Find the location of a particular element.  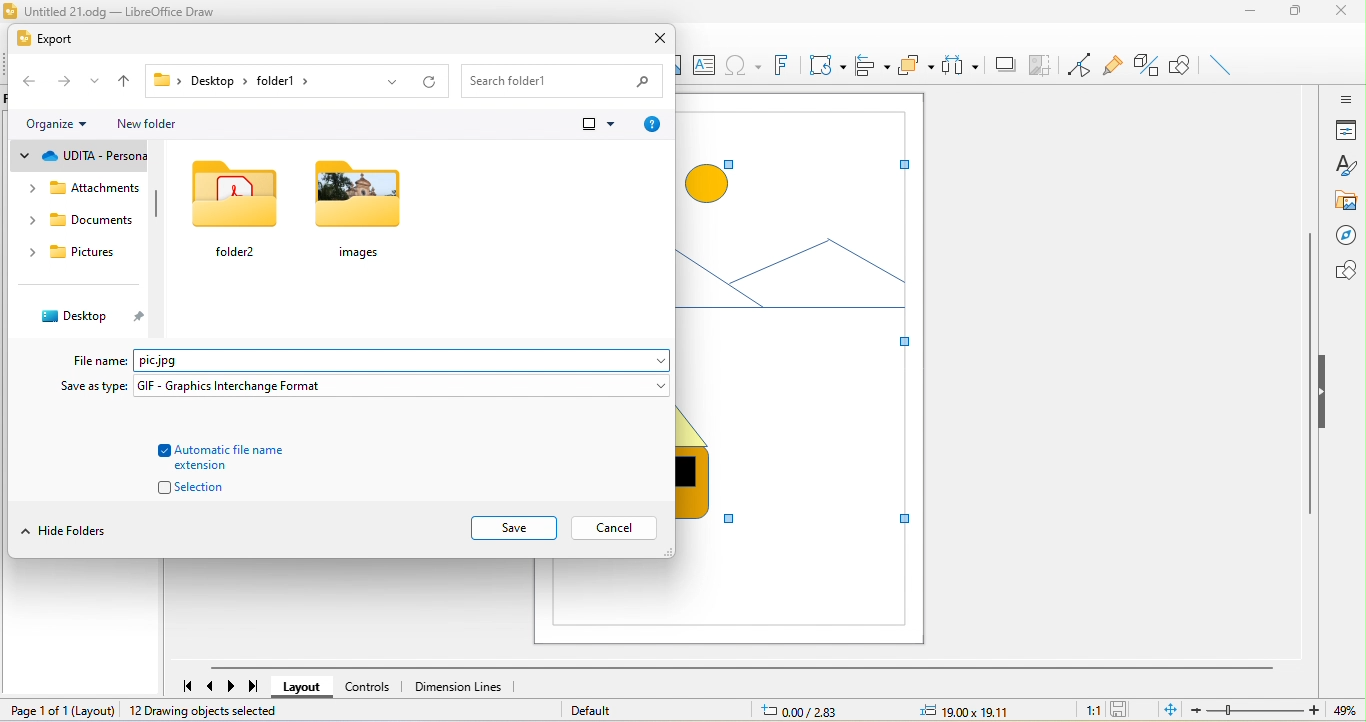

horizontal scroll bar is located at coordinates (740, 668).